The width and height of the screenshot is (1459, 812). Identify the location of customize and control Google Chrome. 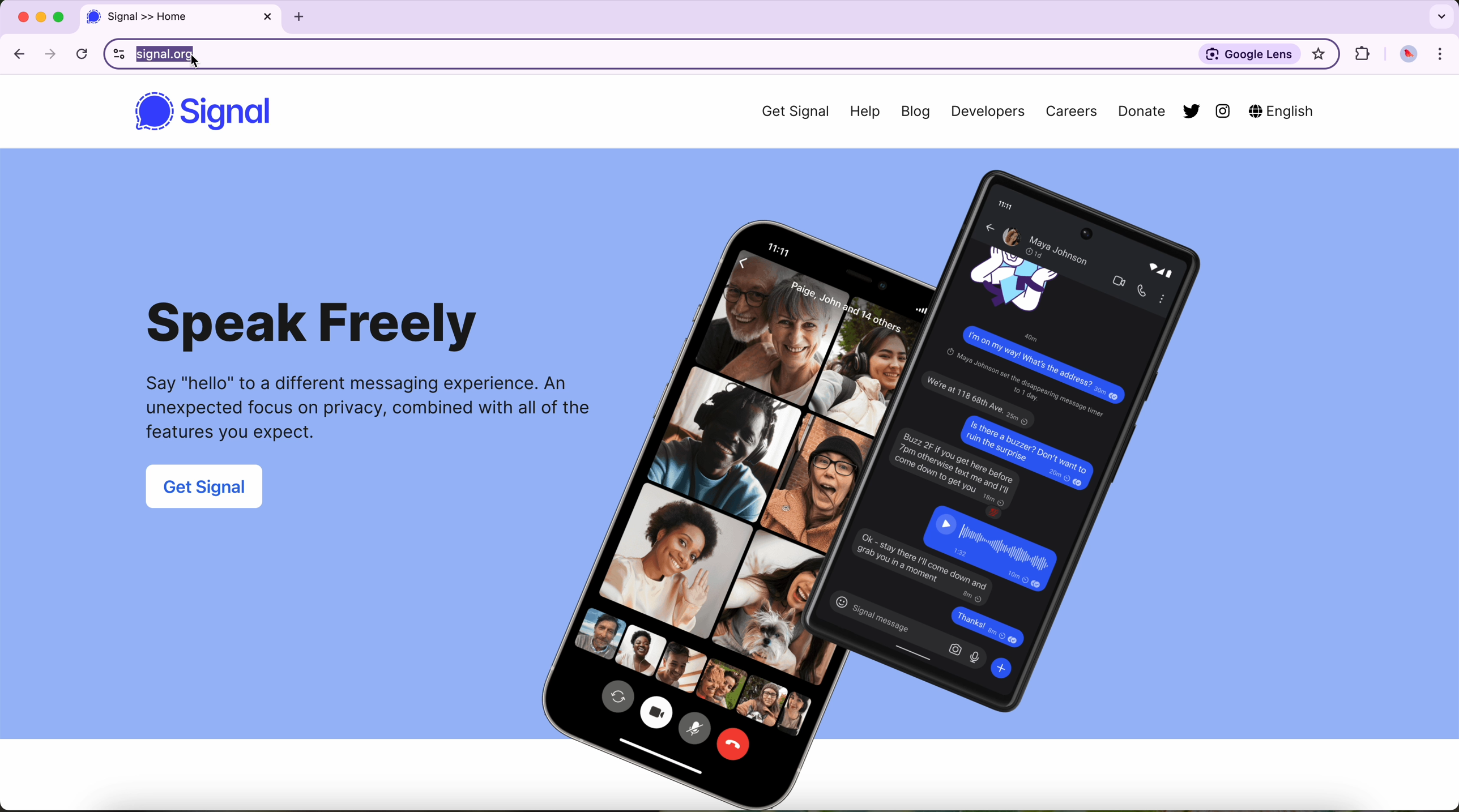
(1441, 54).